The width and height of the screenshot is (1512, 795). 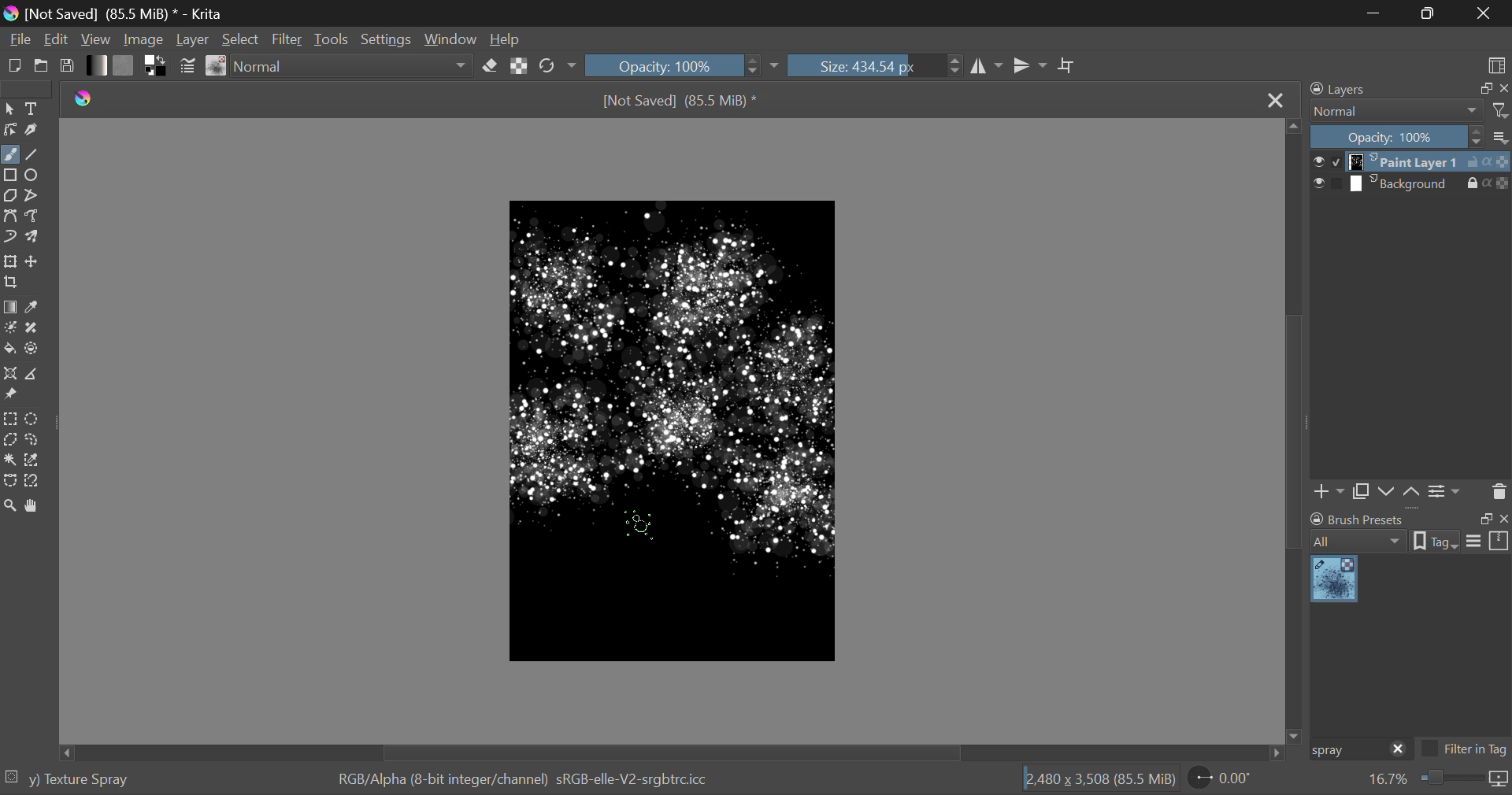 I want to click on Help, so click(x=506, y=36).